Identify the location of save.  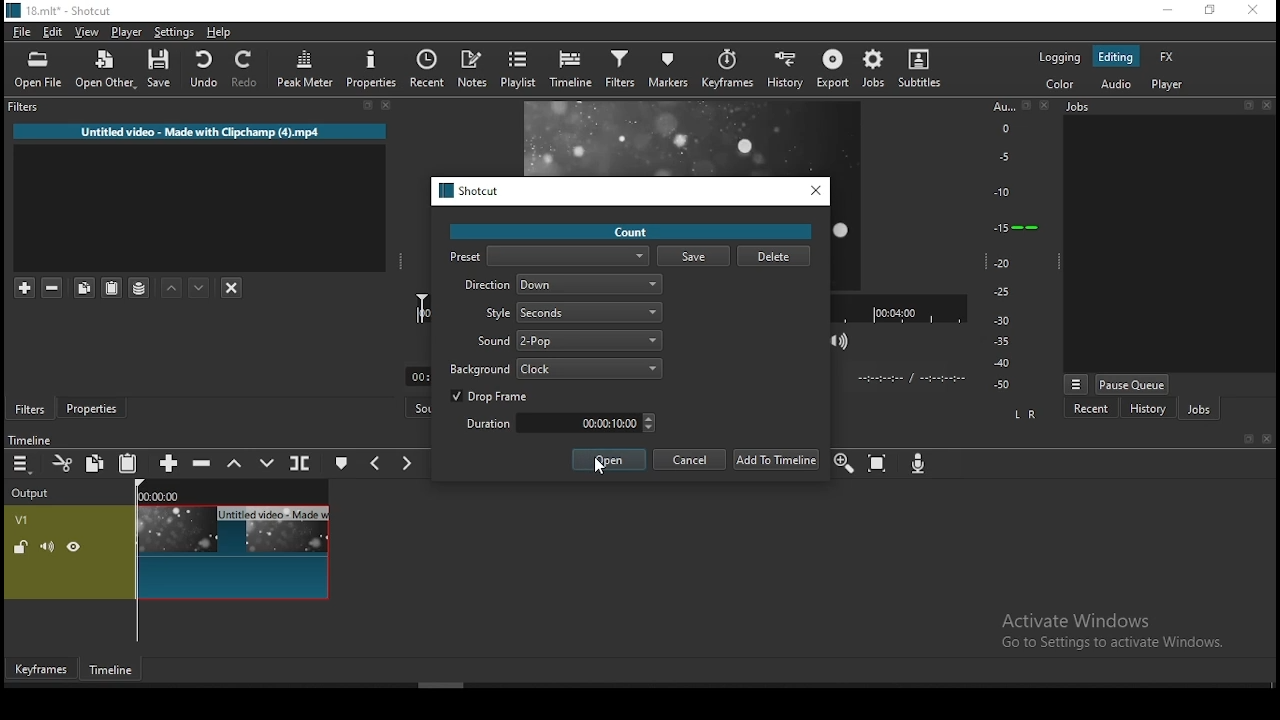
(159, 70).